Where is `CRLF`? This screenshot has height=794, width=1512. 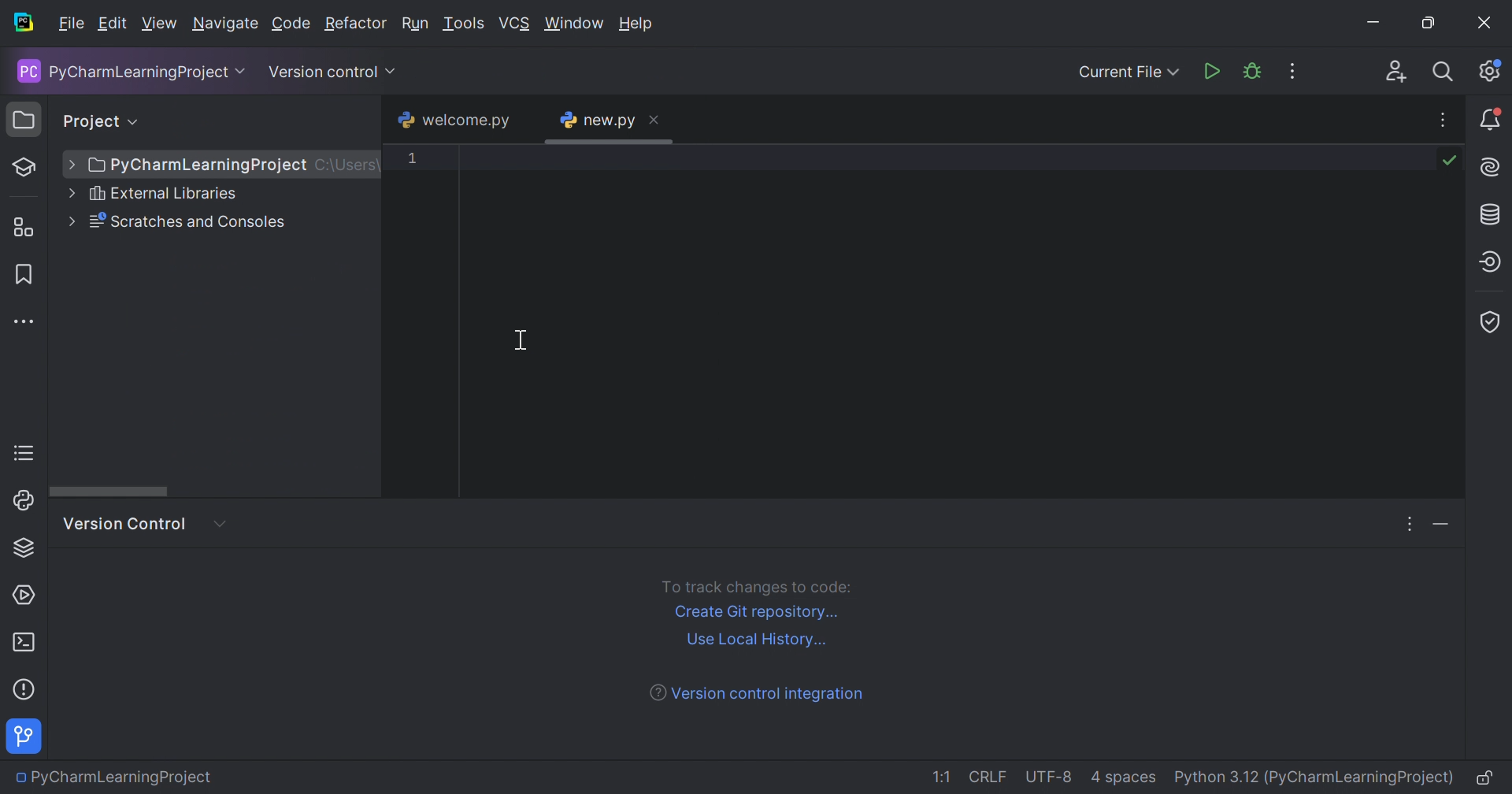
CRLF is located at coordinates (991, 776).